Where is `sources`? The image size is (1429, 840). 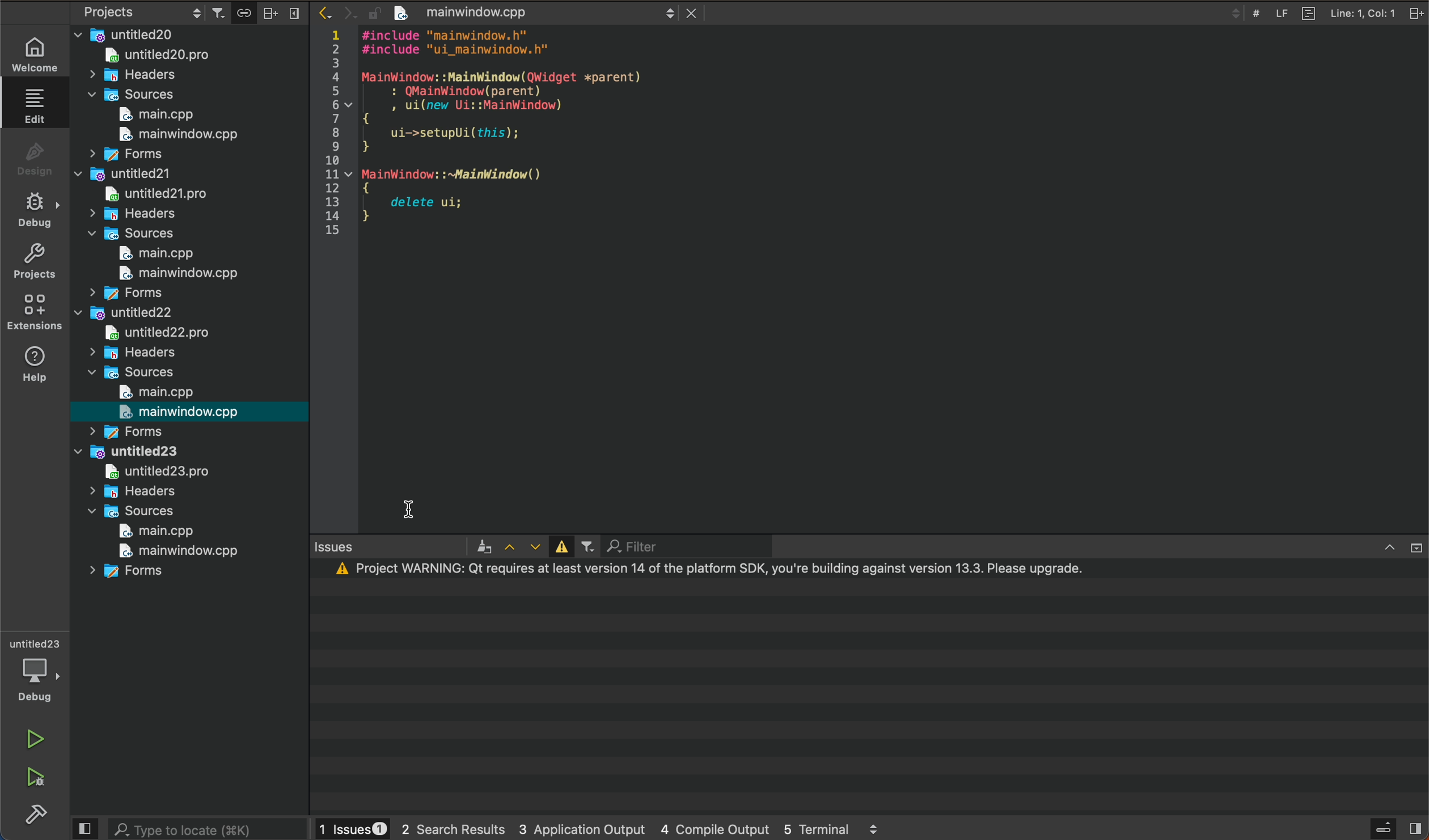
sources is located at coordinates (129, 511).